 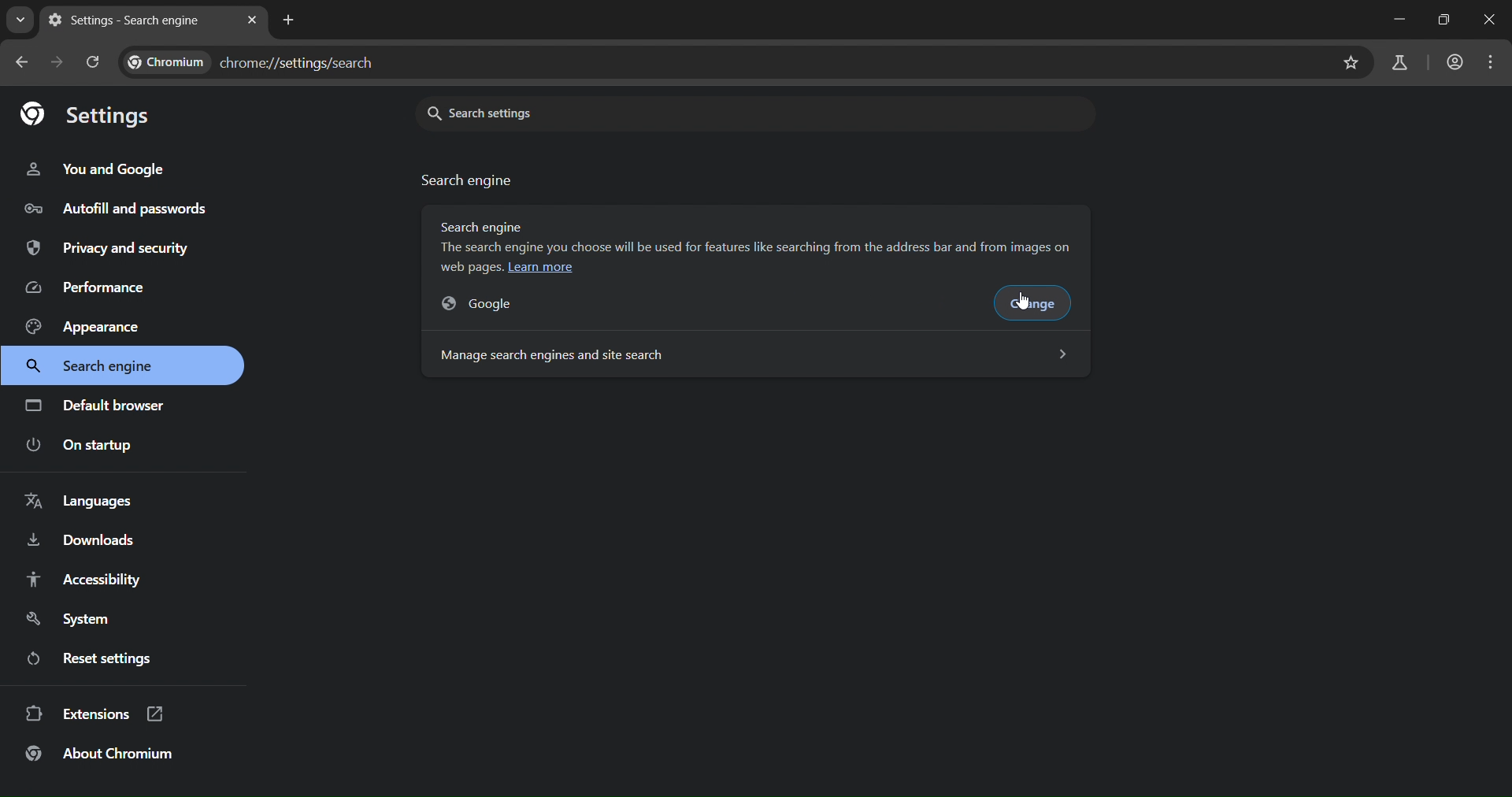 I want to click on web pages., so click(x=472, y=267).